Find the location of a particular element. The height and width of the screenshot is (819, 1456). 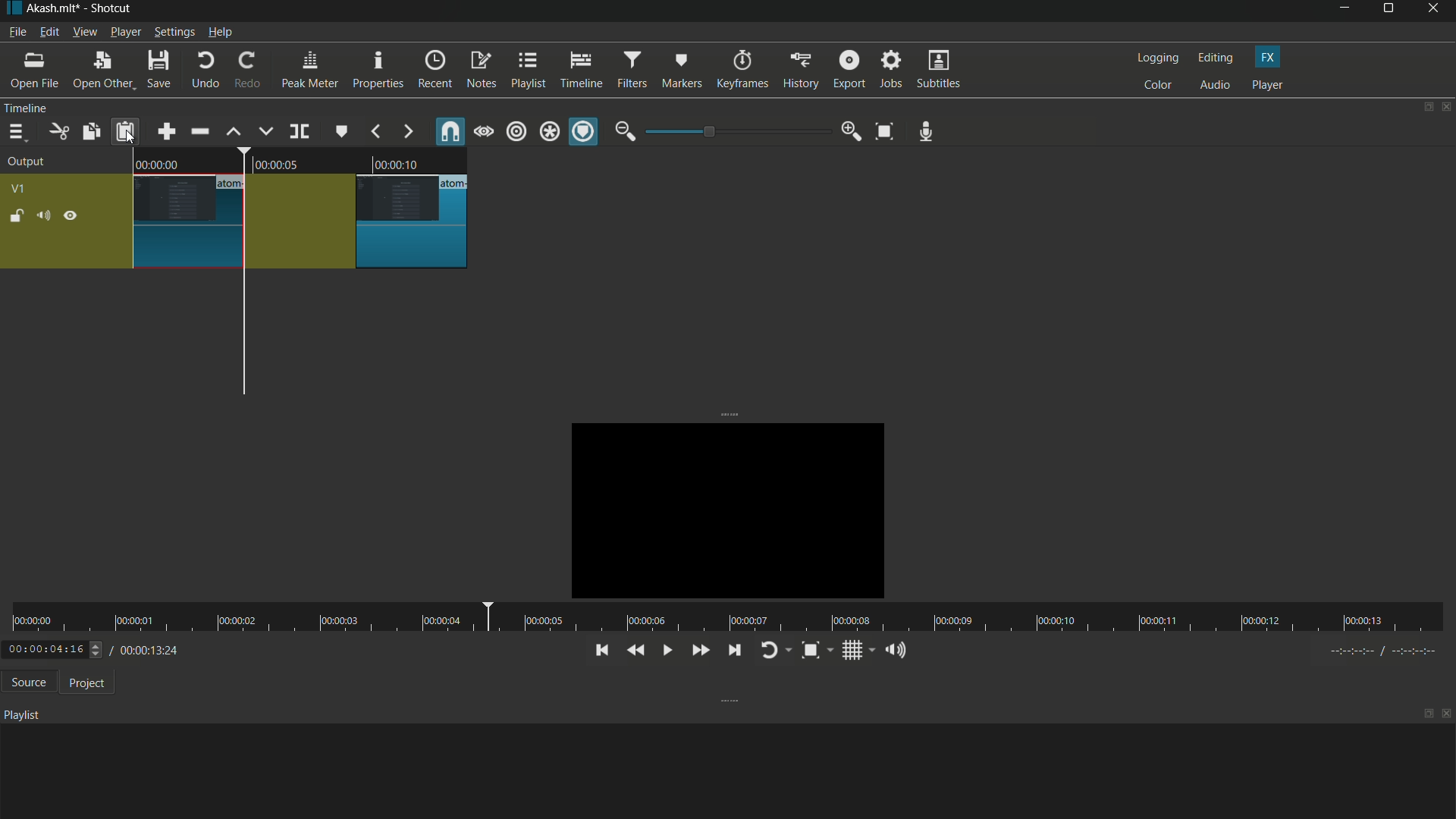

toggle zoom is located at coordinates (886, 130).